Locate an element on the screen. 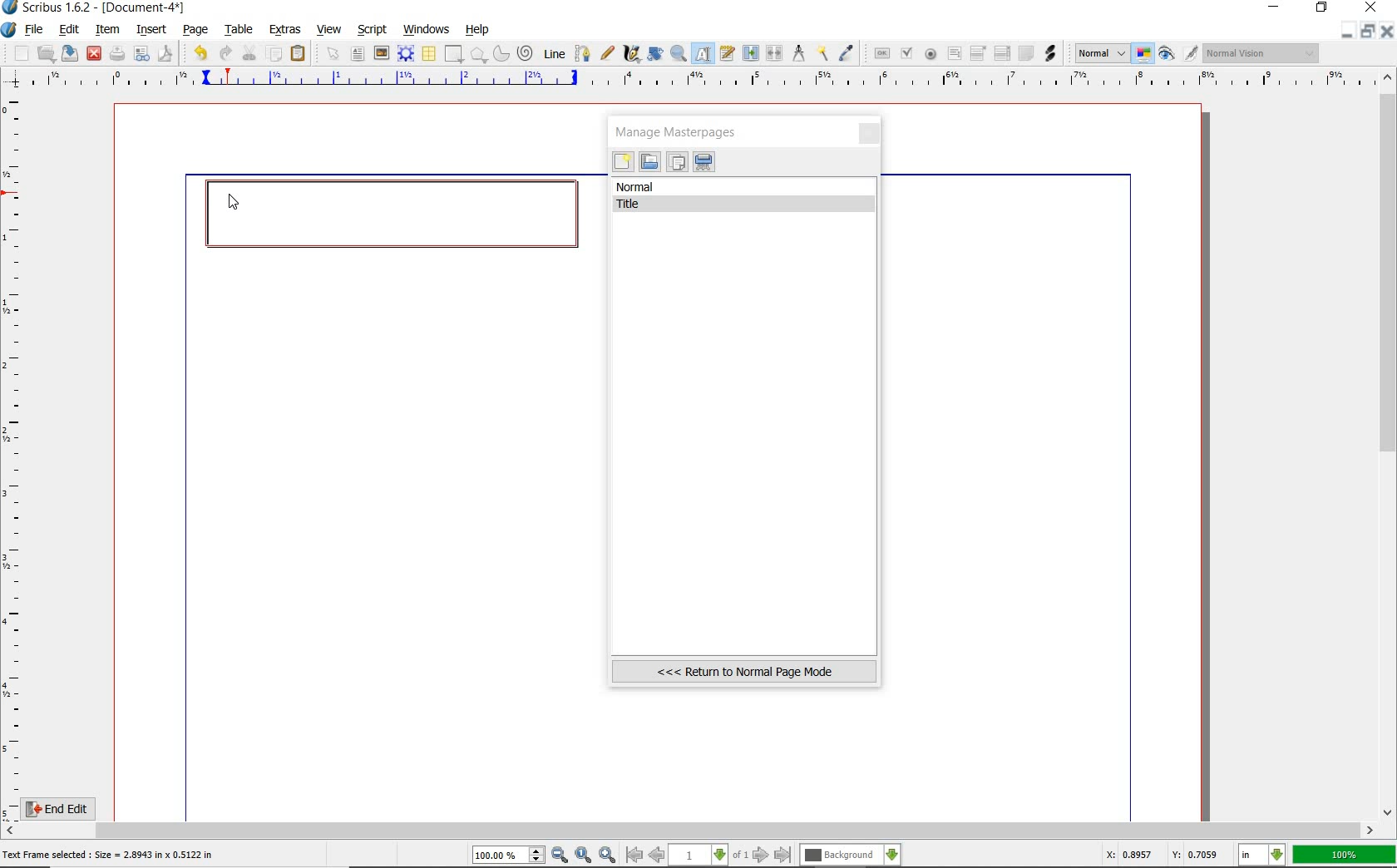 This screenshot has height=868, width=1397. pdf list box is located at coordinates (1001, 55).